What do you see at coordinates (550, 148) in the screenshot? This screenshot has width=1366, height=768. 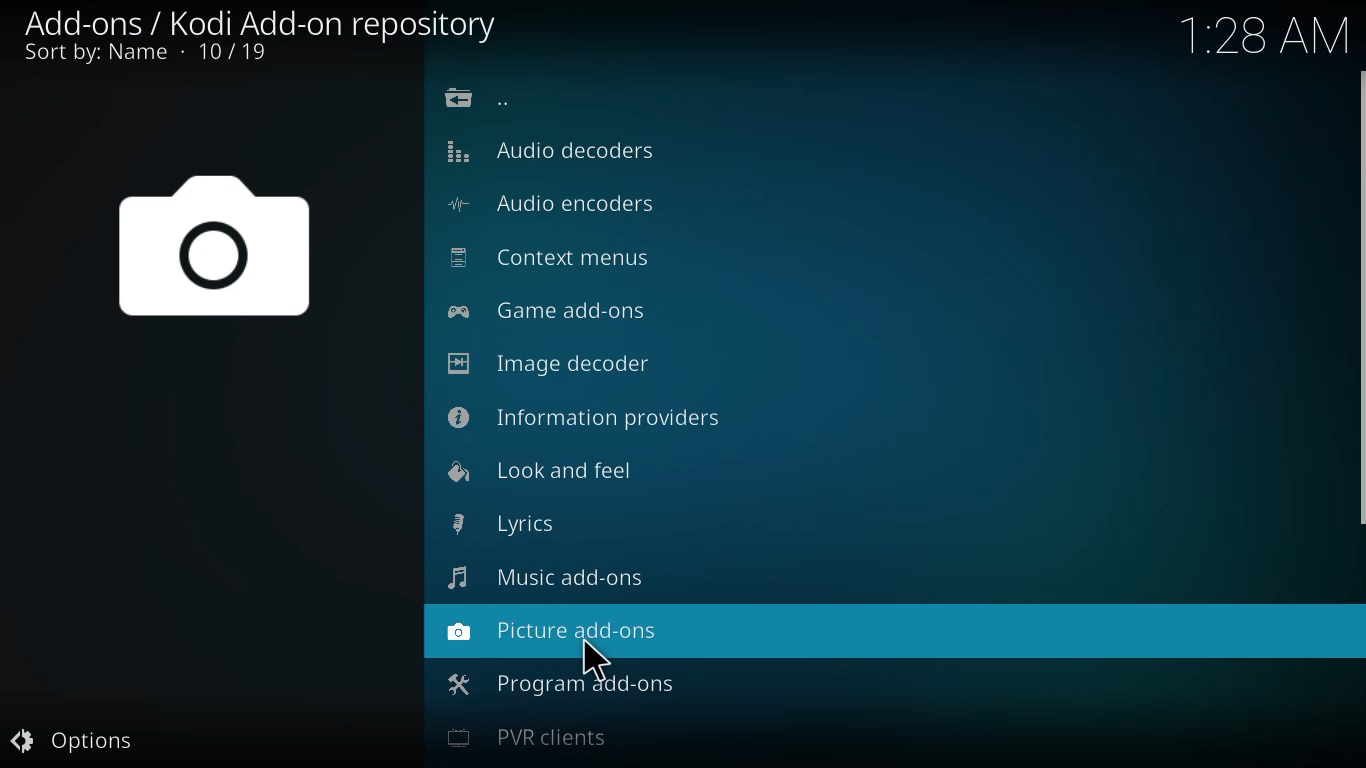 I see `audio decoders` at bounding box center [550, 148].